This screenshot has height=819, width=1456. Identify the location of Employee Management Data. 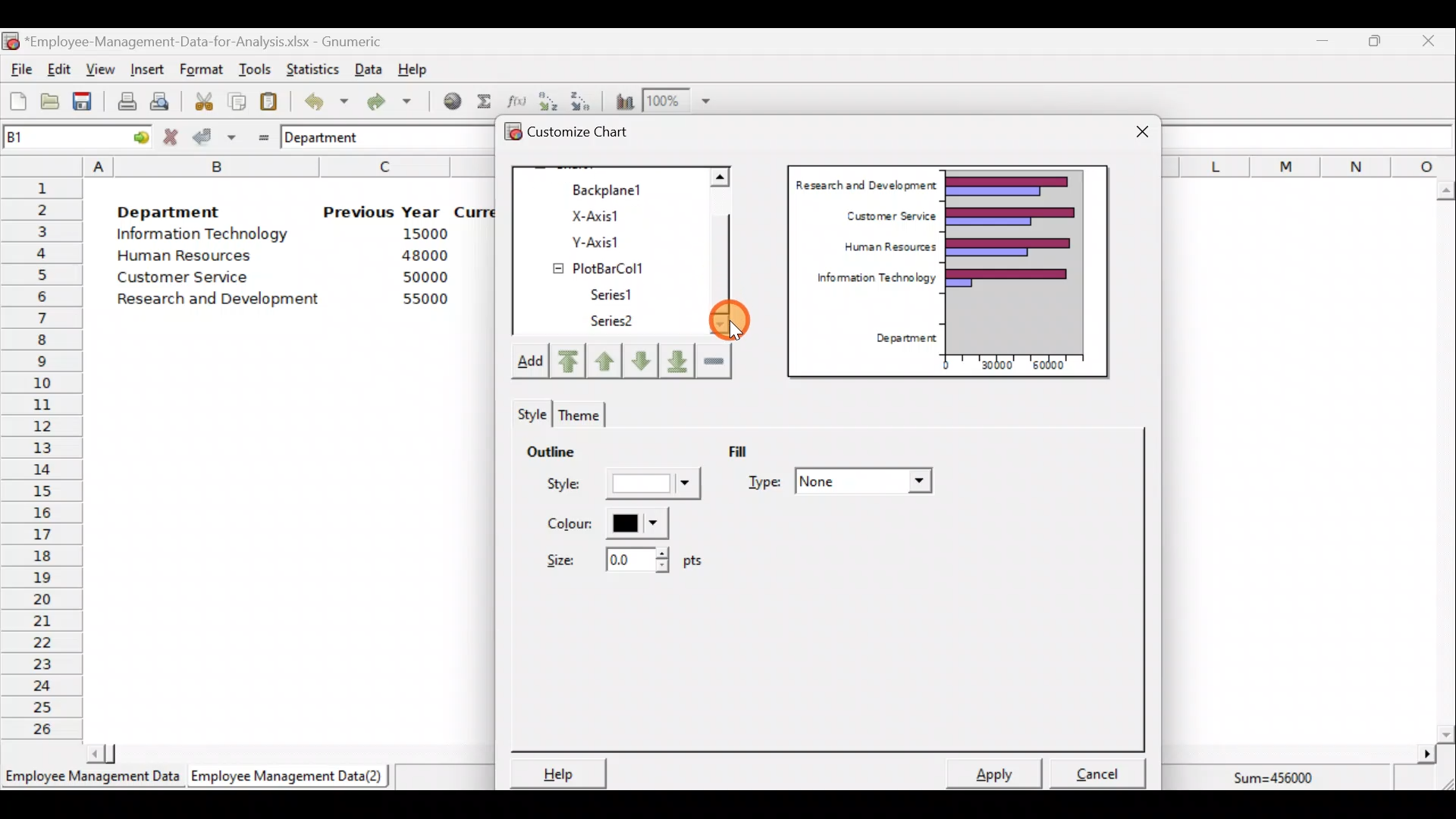
(91, 781).